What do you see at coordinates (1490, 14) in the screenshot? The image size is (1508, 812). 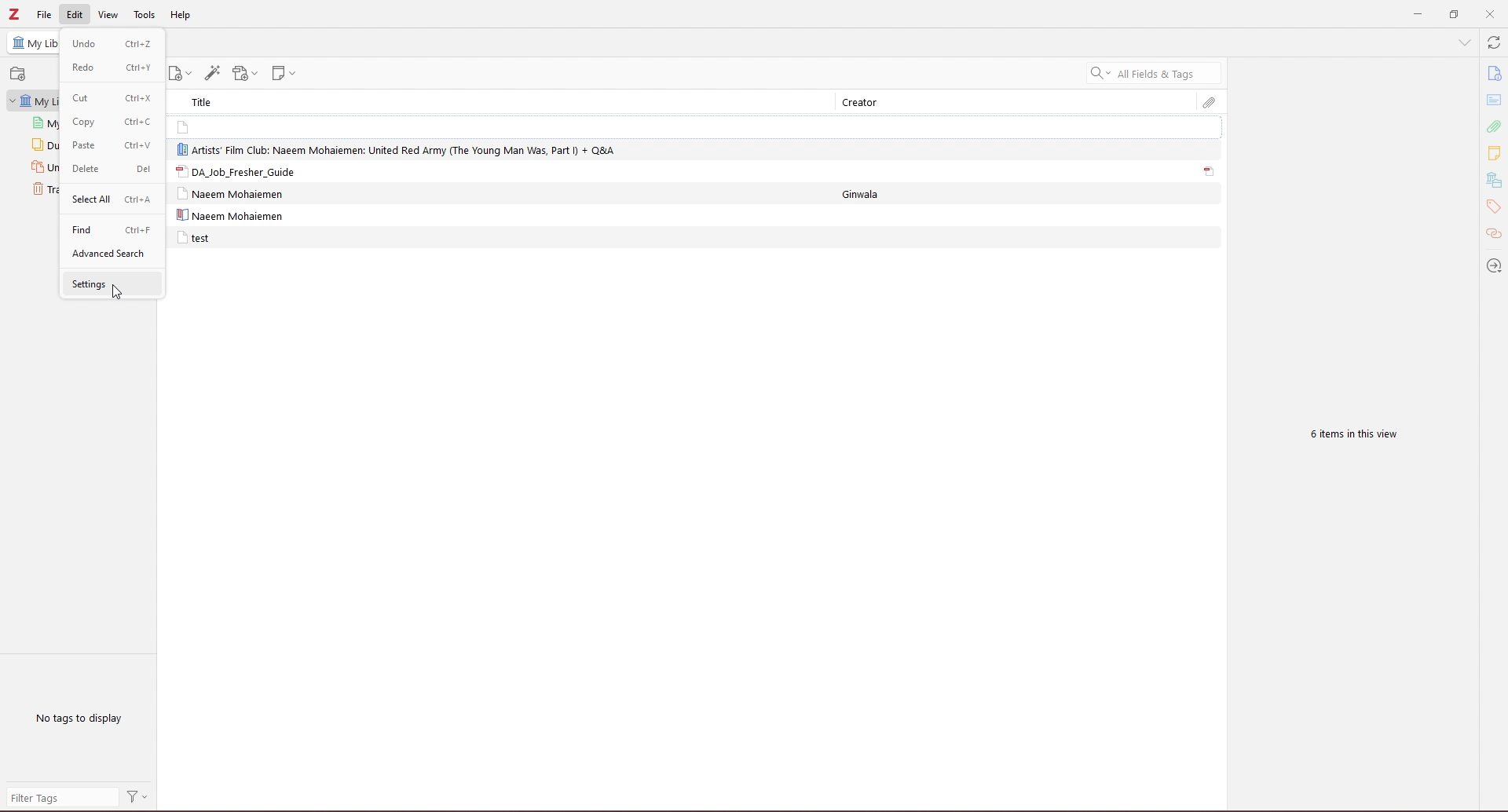 I see `close` at bounding box center [1490, 14].